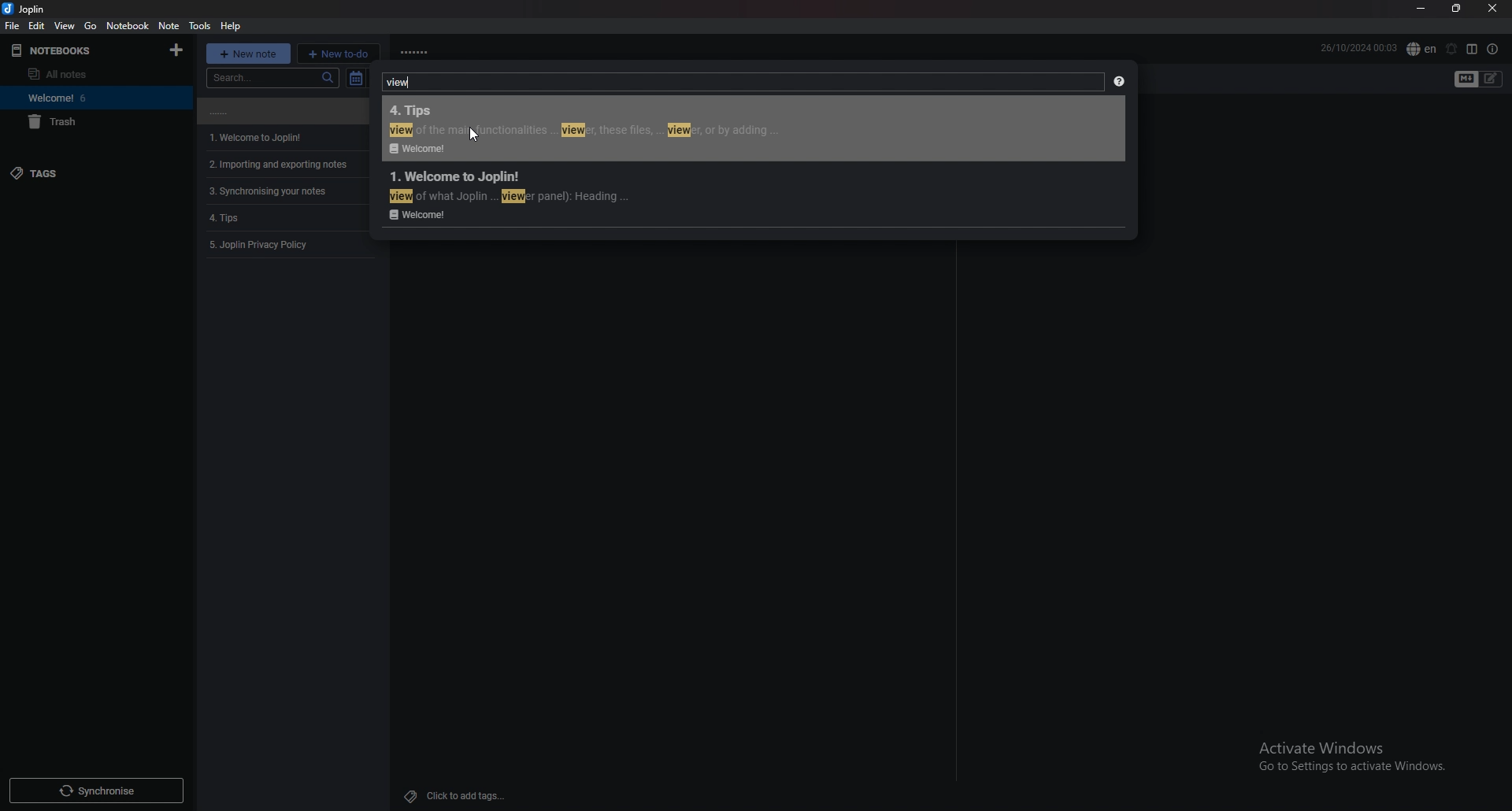 The height and width of the screenshot is (811, 1512). Describe the element at coordinates (1467, 80) in the screenshot. I see `toggle editors` at that location.